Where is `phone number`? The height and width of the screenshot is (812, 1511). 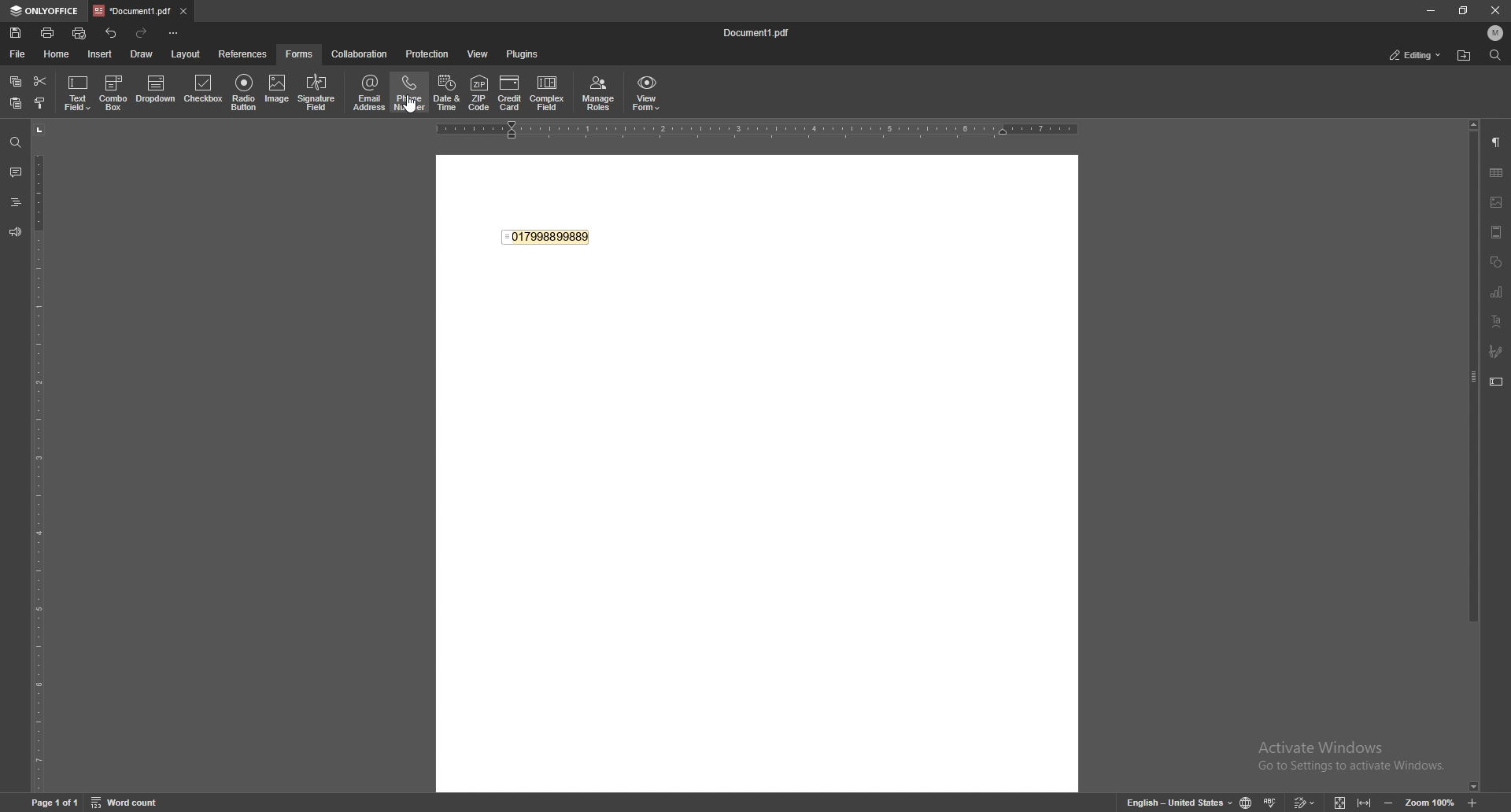 phone number is located at coordinates (410, 92).